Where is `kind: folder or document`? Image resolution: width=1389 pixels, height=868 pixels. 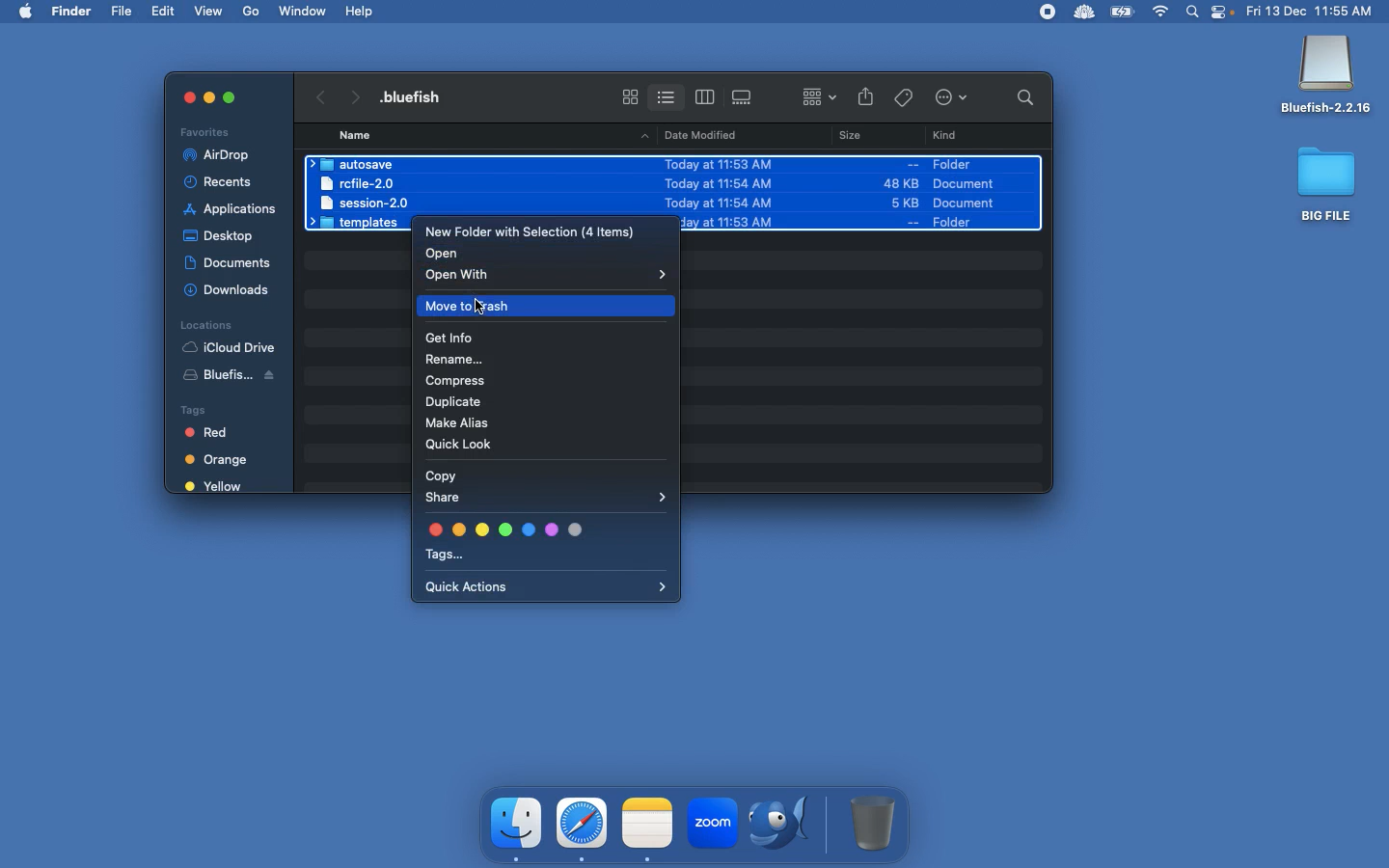
kind: folder or document is located at coordinates (978, 192).